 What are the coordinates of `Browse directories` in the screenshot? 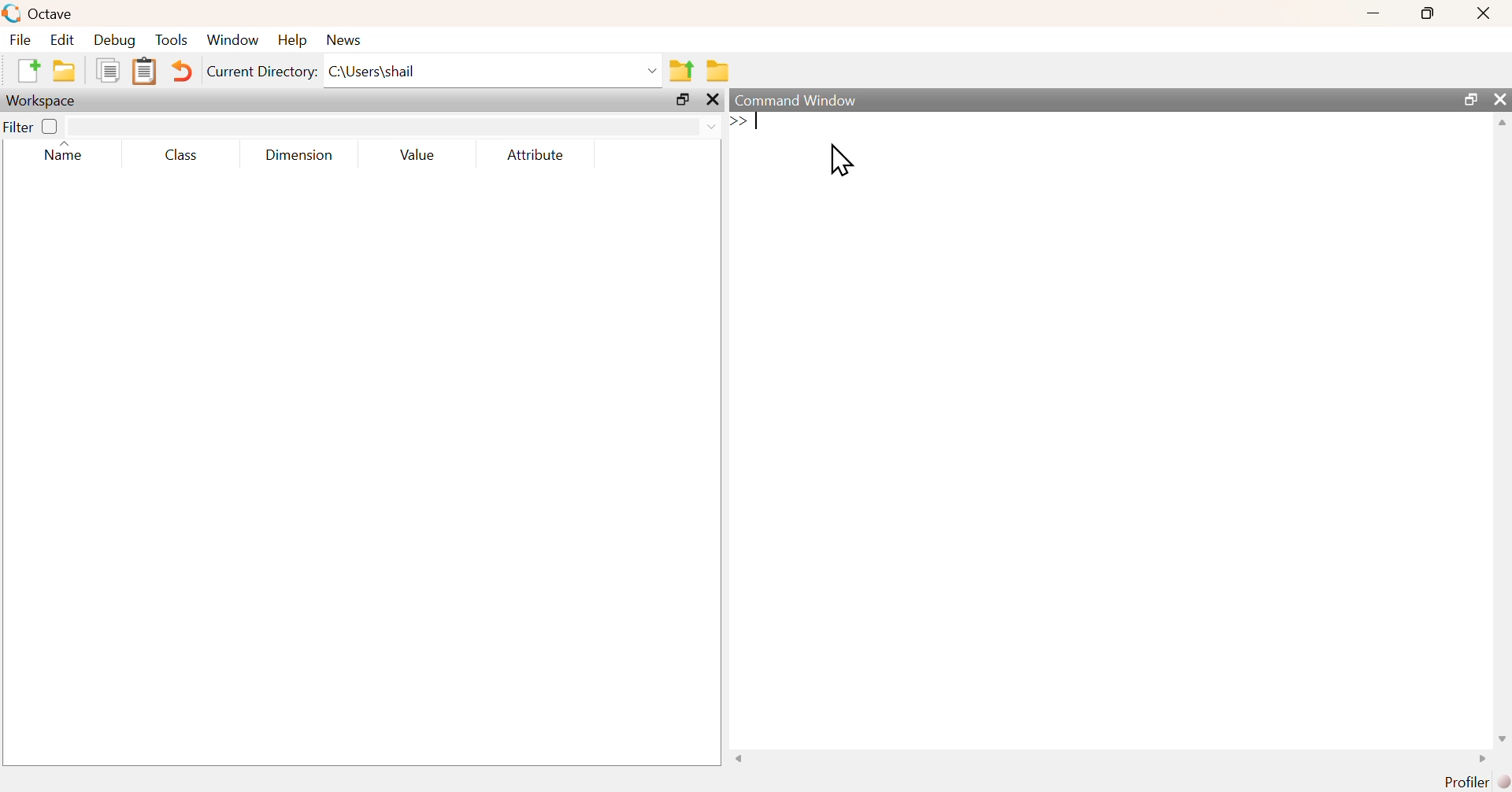 It's located at (720, 72).